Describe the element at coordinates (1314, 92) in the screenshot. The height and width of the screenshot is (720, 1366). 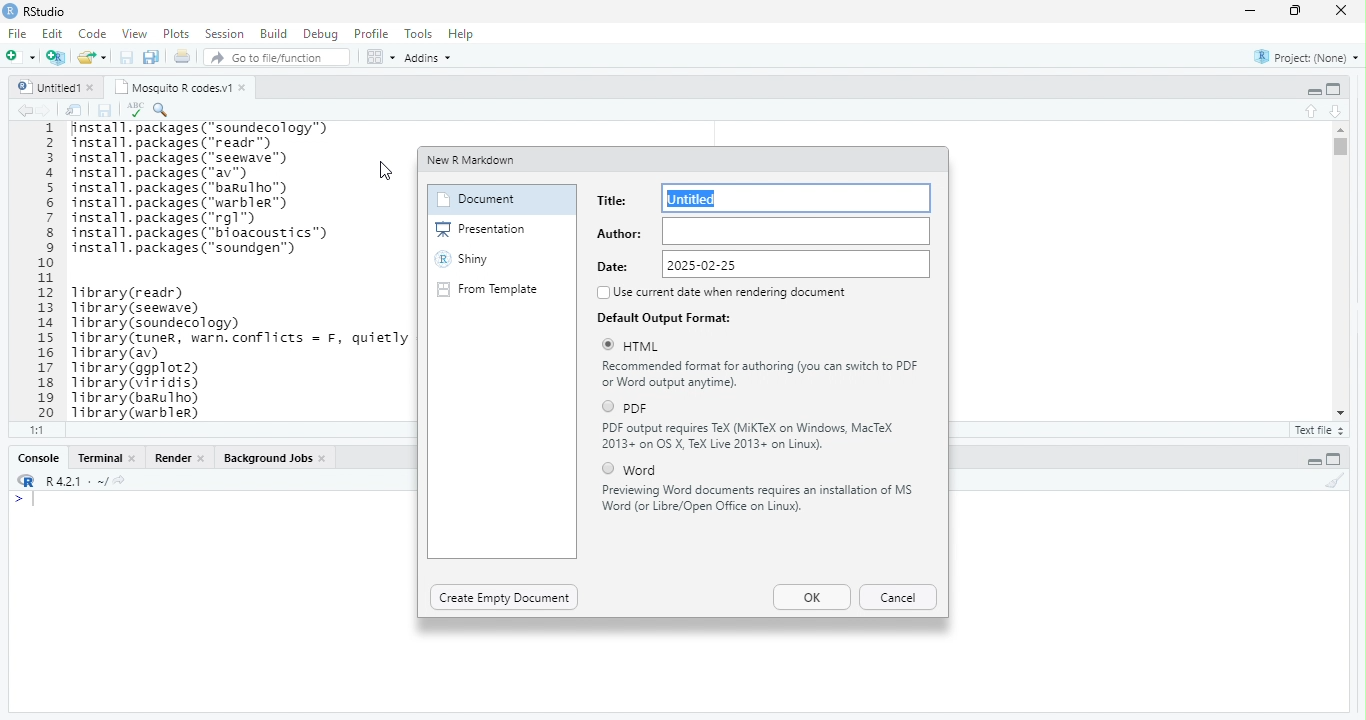
I see `Collapse` at that location.